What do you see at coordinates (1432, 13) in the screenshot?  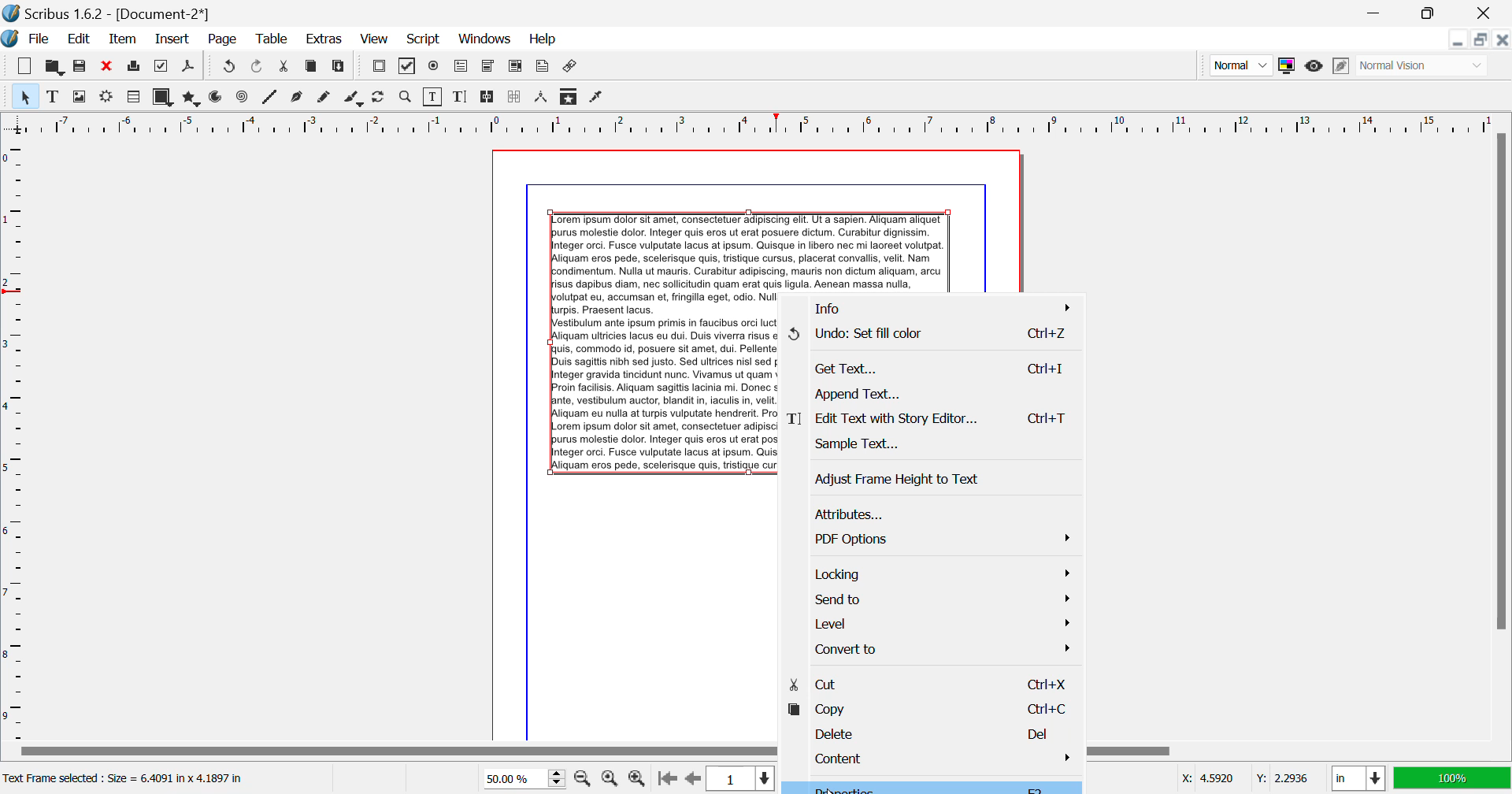 I see `Minimize` at bounding box center [1432, 13].